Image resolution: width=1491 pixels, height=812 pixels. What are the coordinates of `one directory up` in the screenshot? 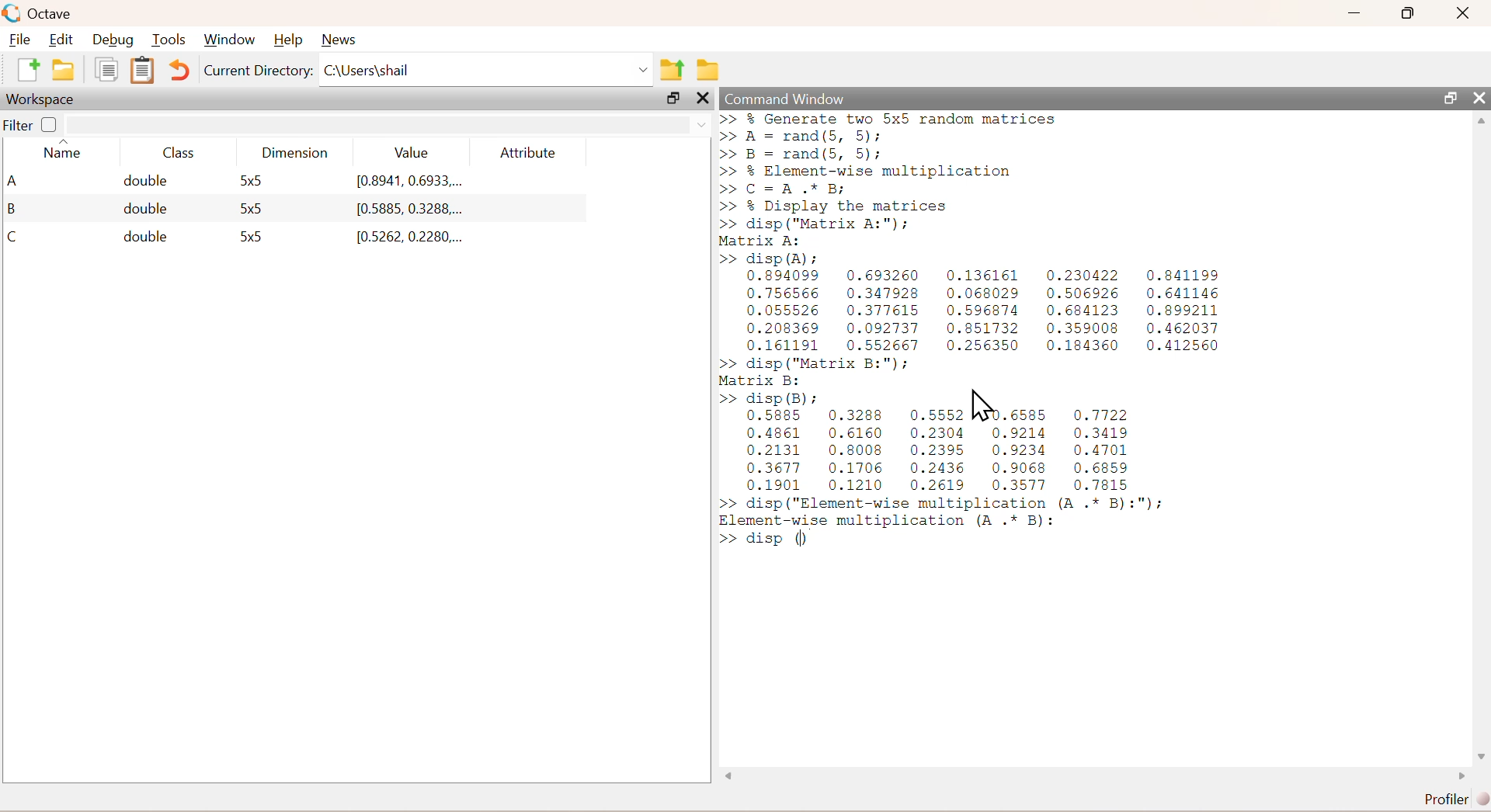 It's located at (671, 70).